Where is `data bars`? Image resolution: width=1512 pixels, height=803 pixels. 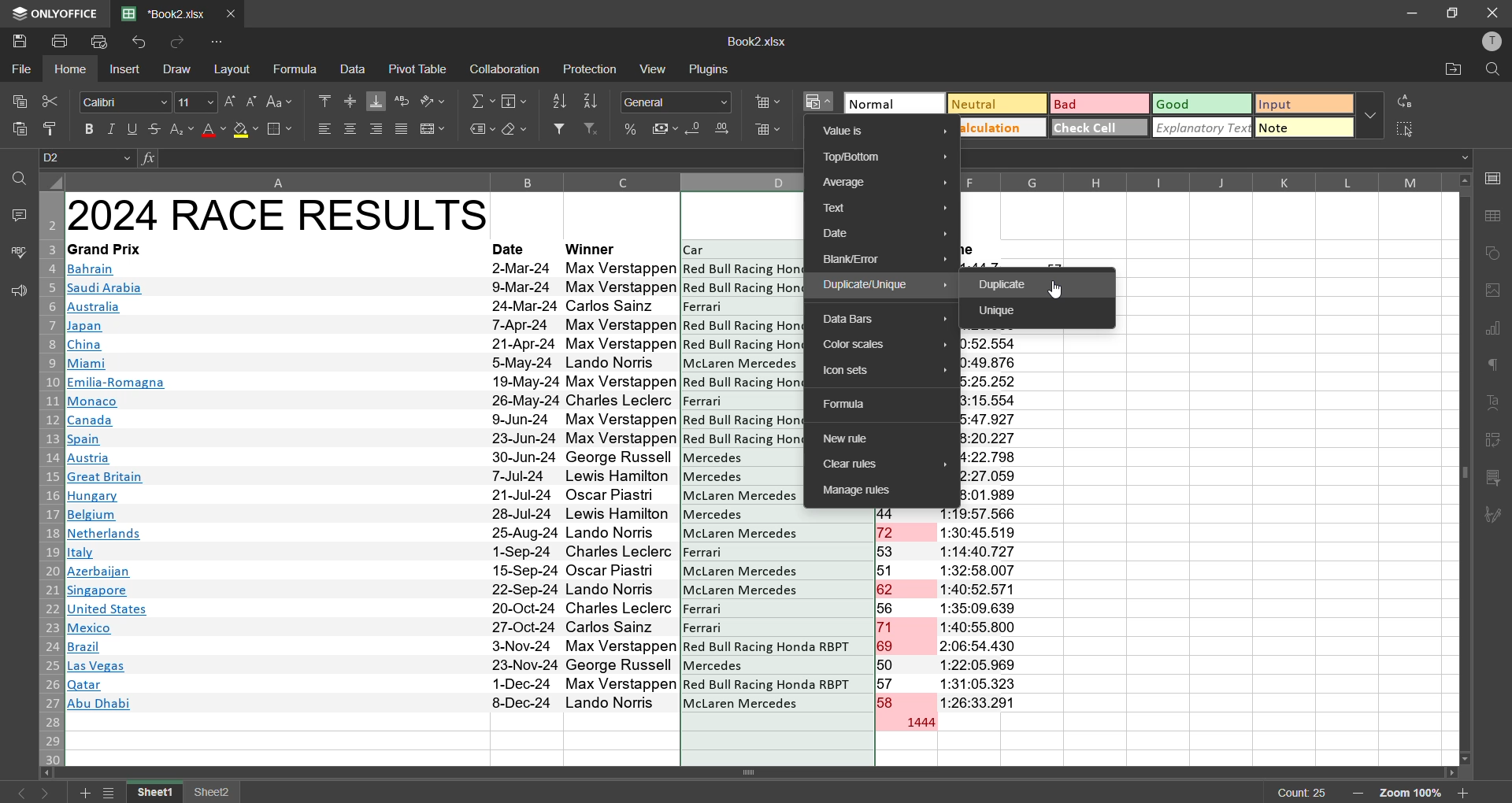 data bars is located at coordinates (885, 318).